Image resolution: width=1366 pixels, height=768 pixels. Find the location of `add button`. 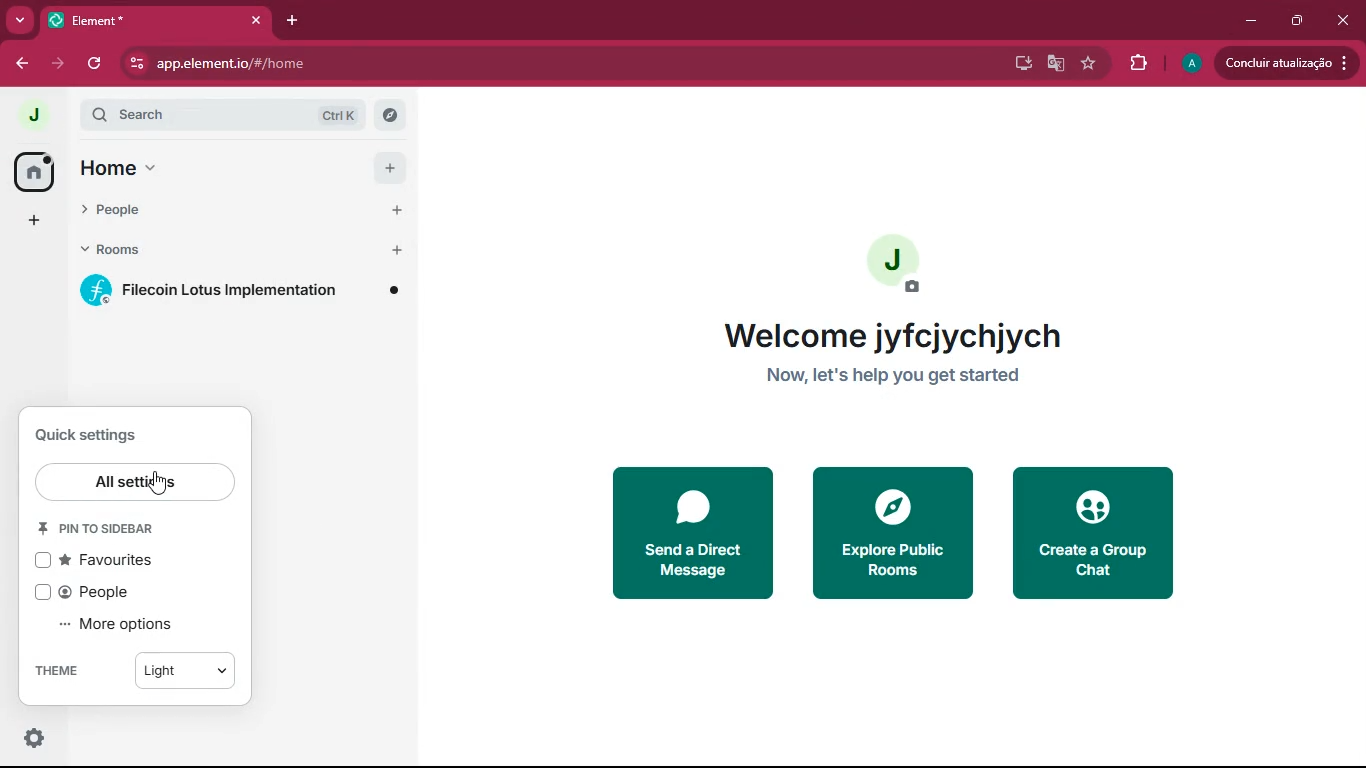

add button is located at coordinates (390, 212).